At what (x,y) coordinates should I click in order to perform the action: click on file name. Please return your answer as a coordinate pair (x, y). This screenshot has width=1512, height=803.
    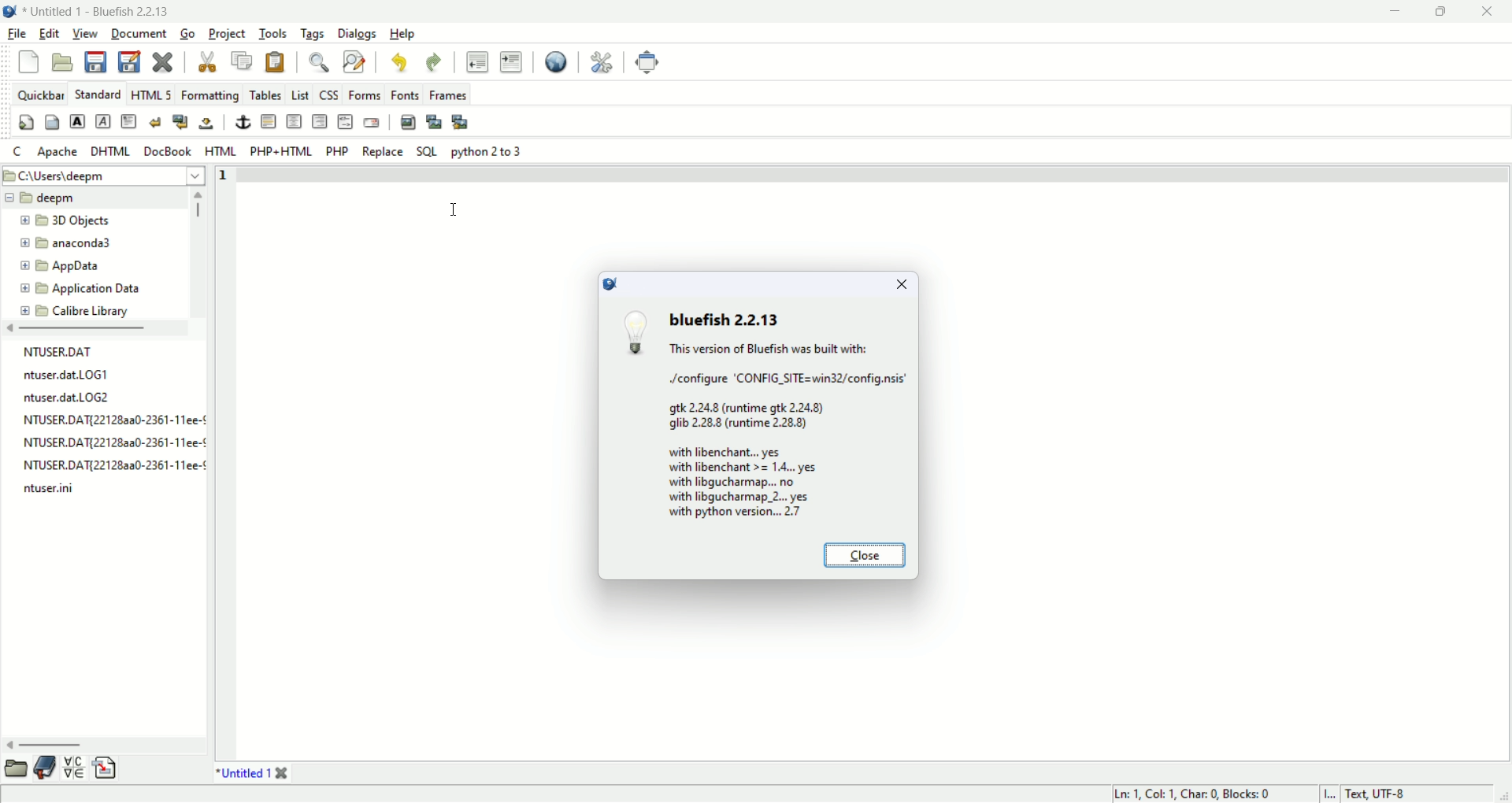
    Looking at the image, I should click on (114, 442).